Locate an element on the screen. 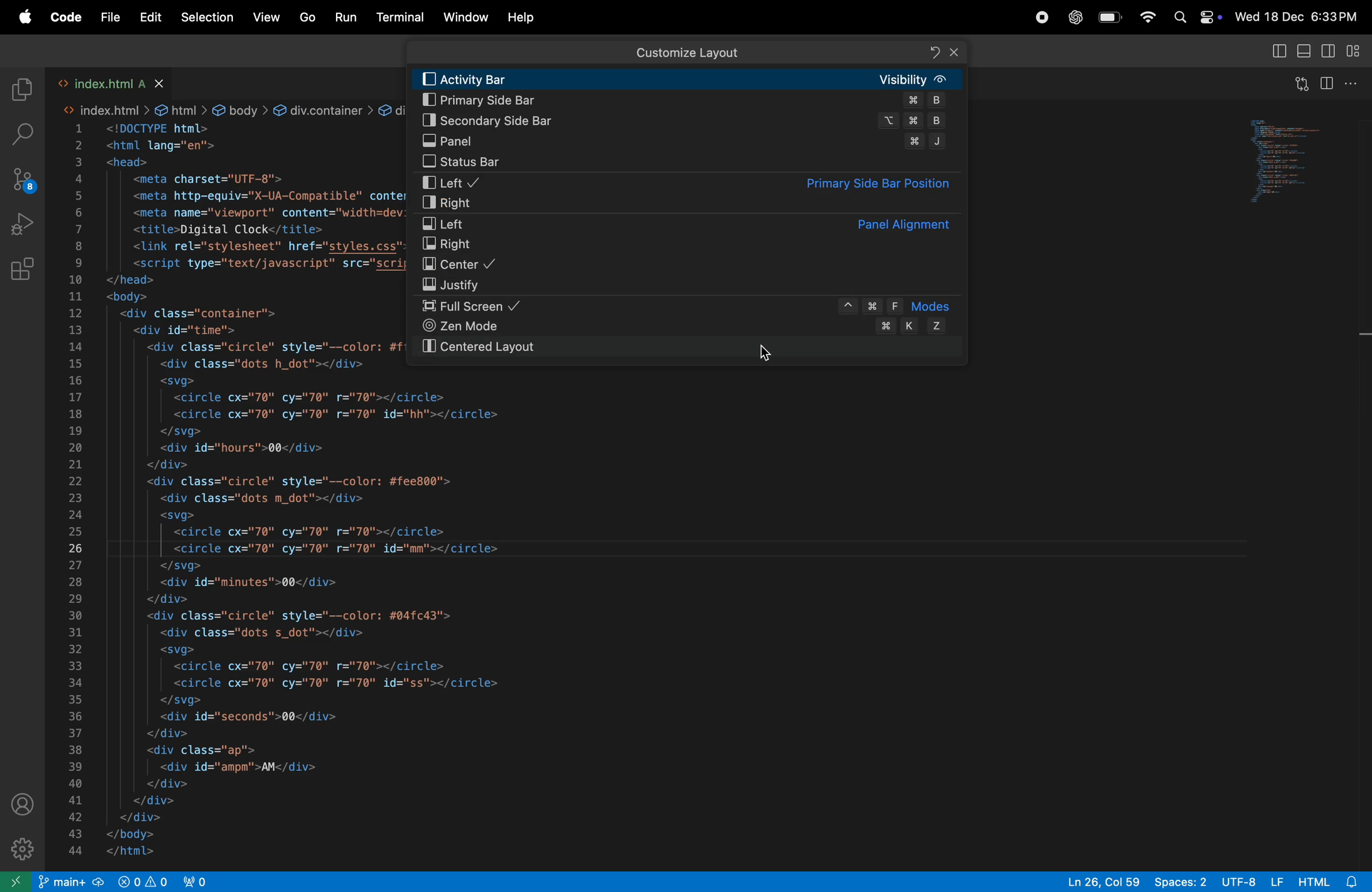 Image resolution: width=1372 pixels, height=892 pixels. run  is located at coordinates (344, 18).